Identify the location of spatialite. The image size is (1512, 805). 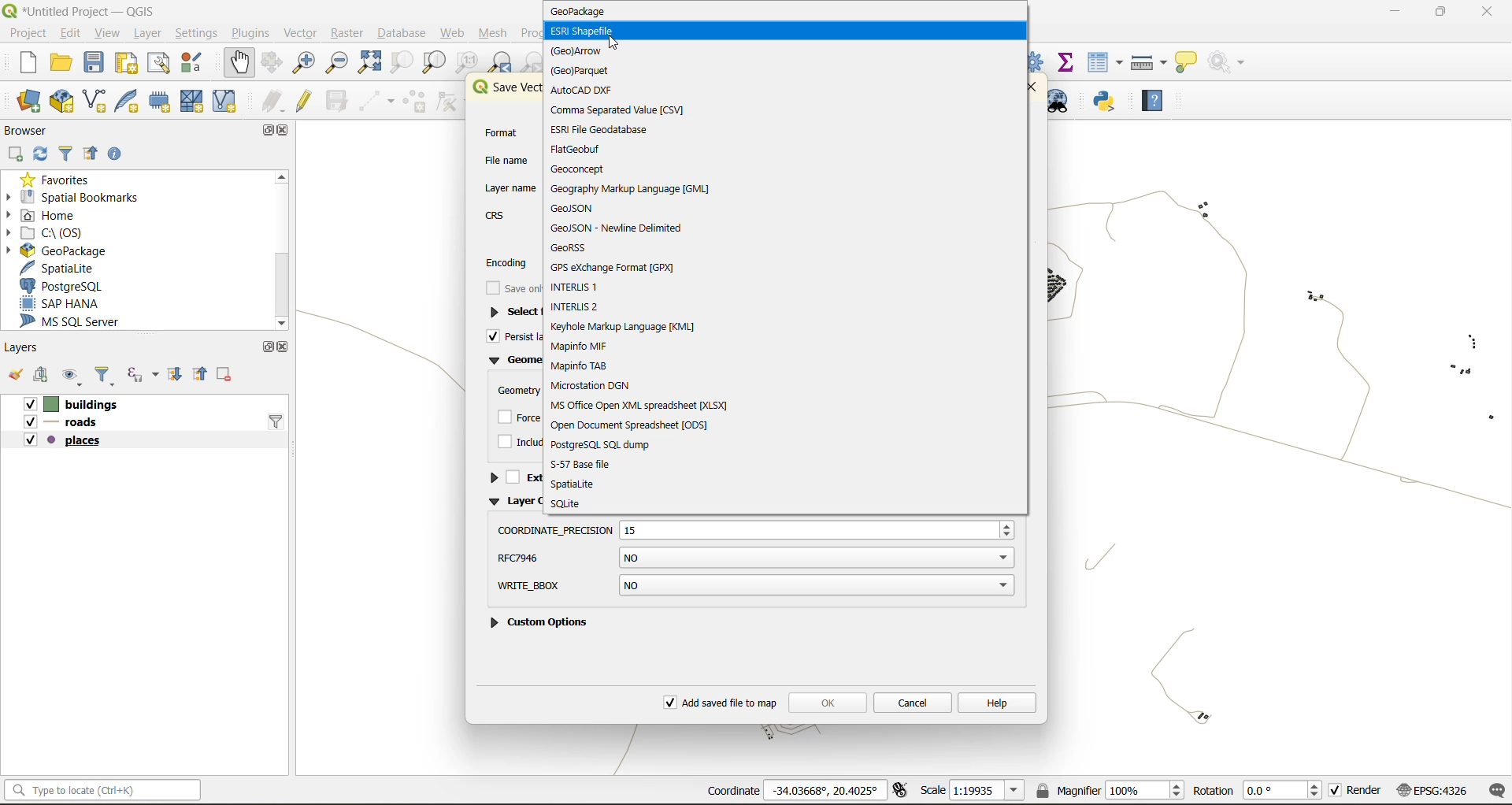
(57, 267).